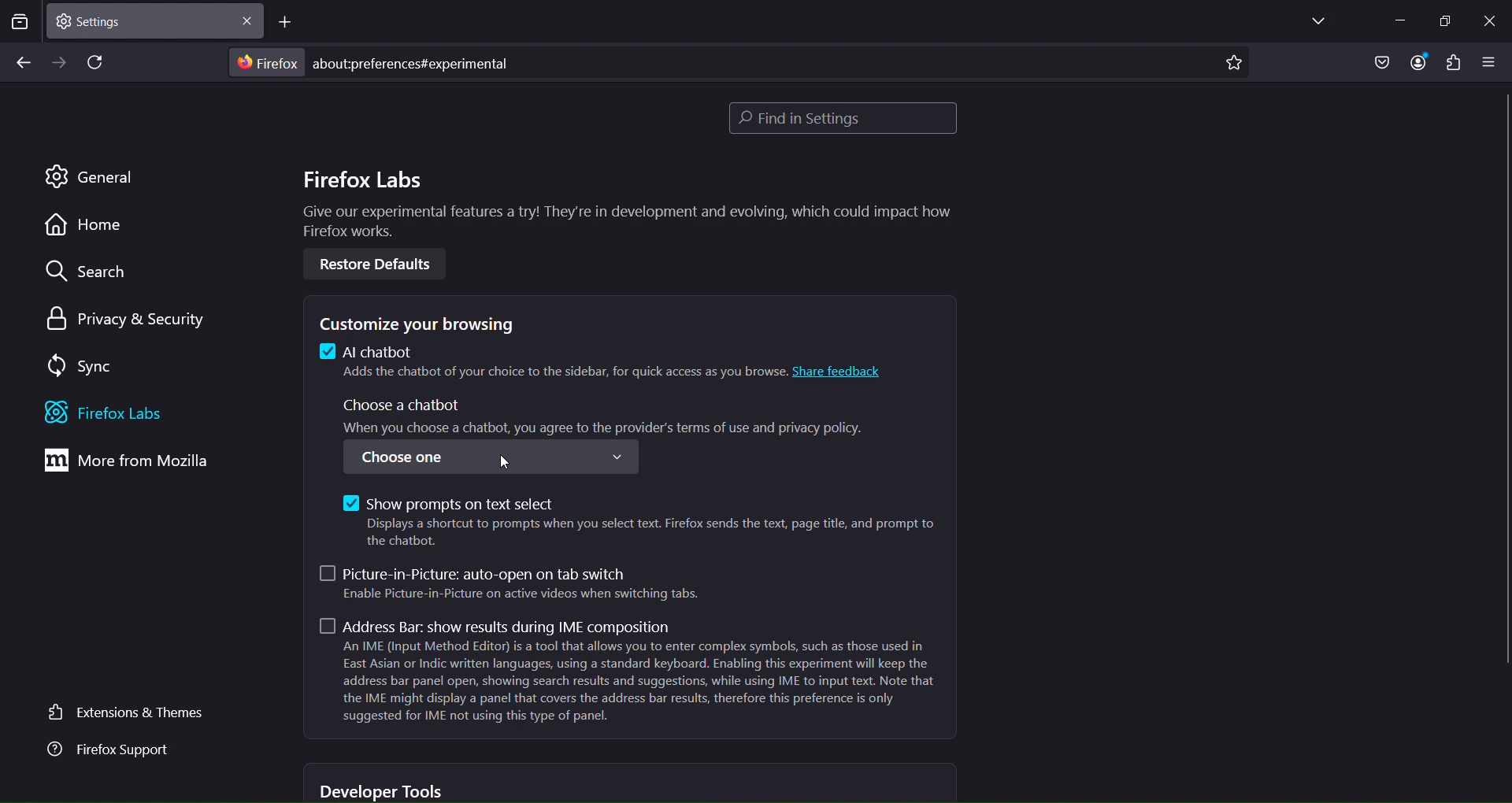 The height and width of the screenshot is (803, 1512). I want to click on account, so click(1415, 62).